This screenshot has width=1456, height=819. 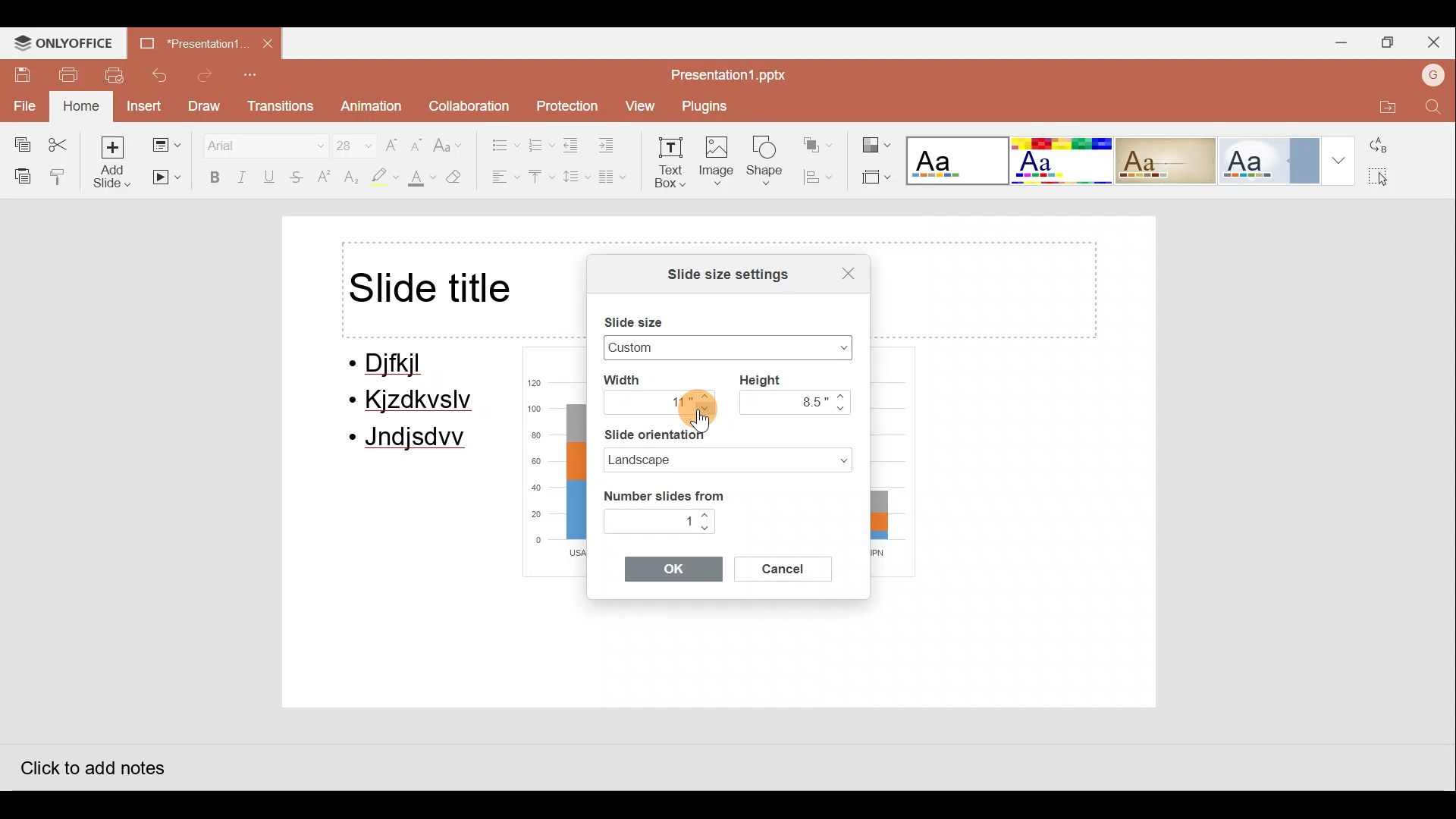 What do you see at coordinates (143, 105) in the screenshot?
I see `Insert` at bounding box center [143, 105].